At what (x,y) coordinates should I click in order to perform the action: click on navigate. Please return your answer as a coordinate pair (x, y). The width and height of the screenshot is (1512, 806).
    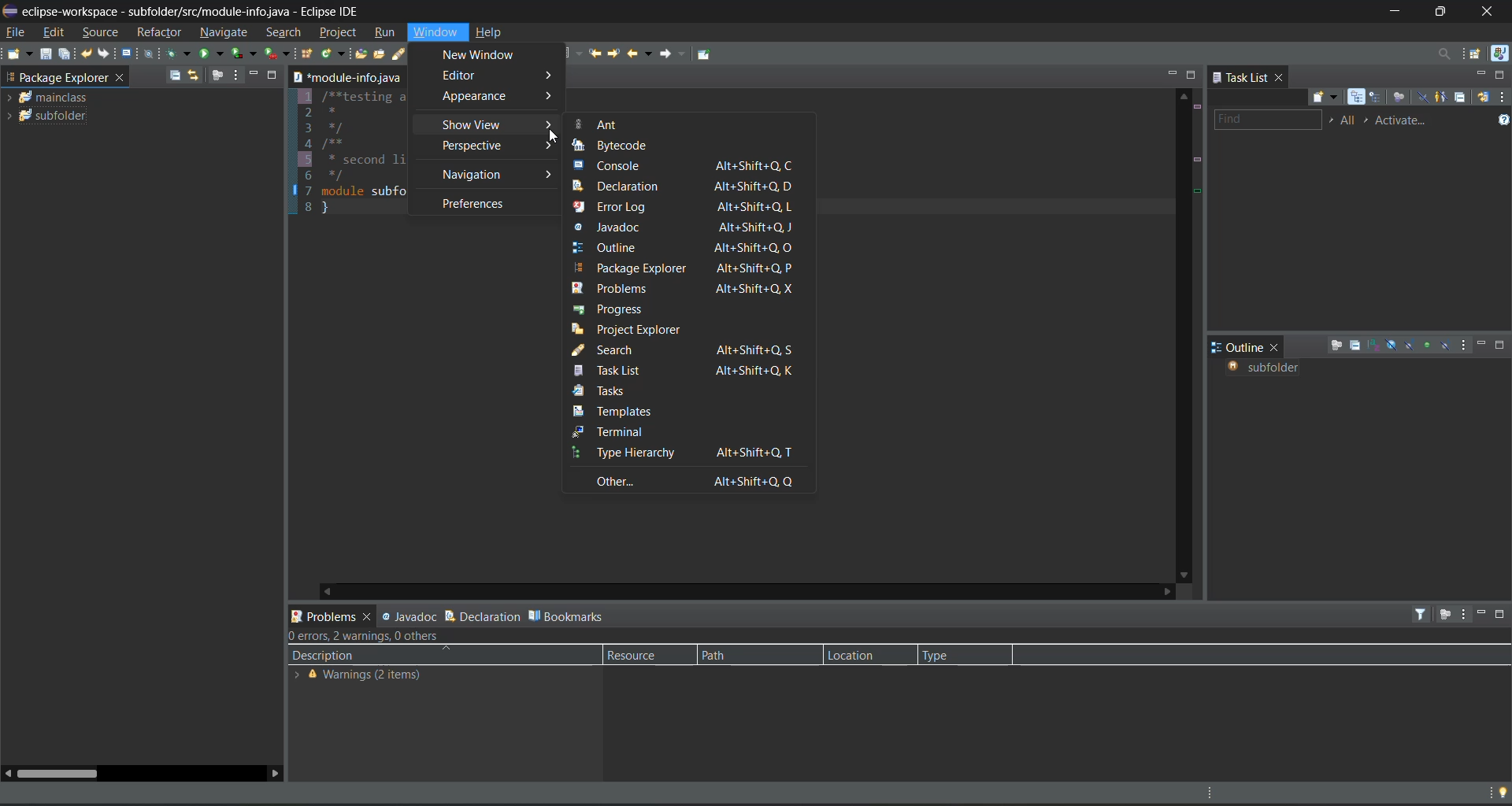
    Looking at the image, I should click on (226, 32).